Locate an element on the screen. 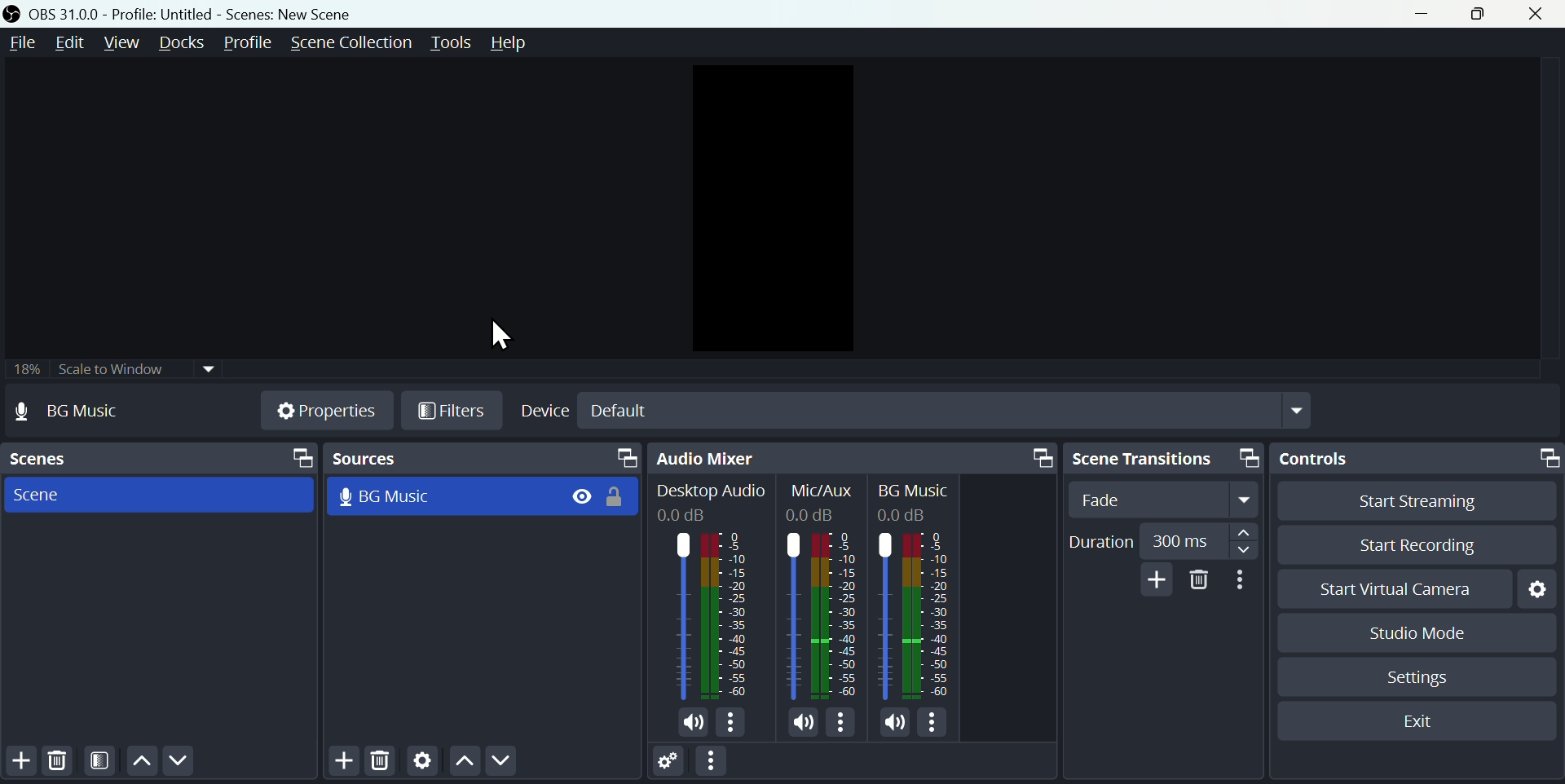 This screenshot has width=1565, height=784. Edit is located at coordinates (73, 41).